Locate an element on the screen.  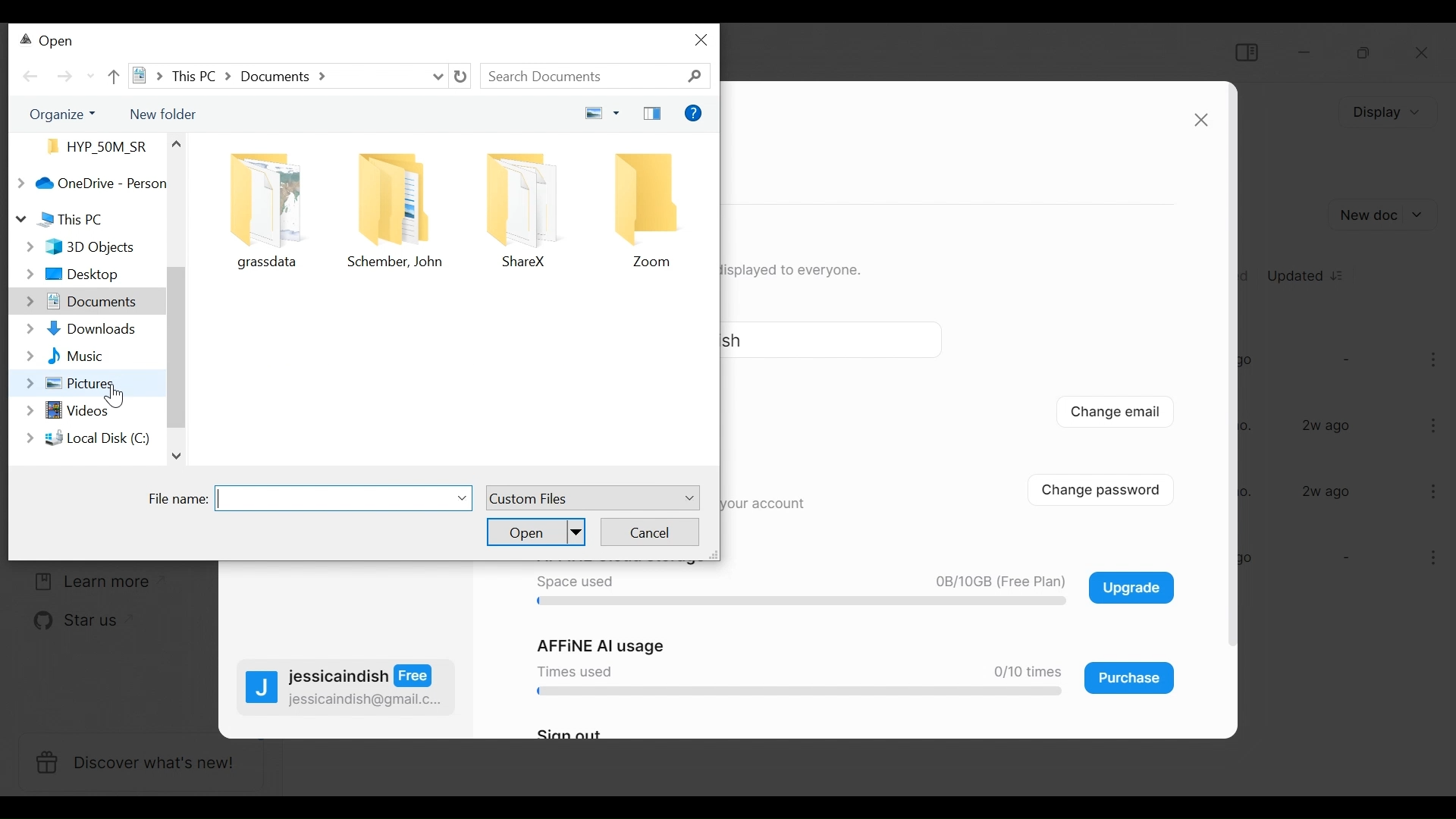
progress bar is located at coordinates (795, 602).